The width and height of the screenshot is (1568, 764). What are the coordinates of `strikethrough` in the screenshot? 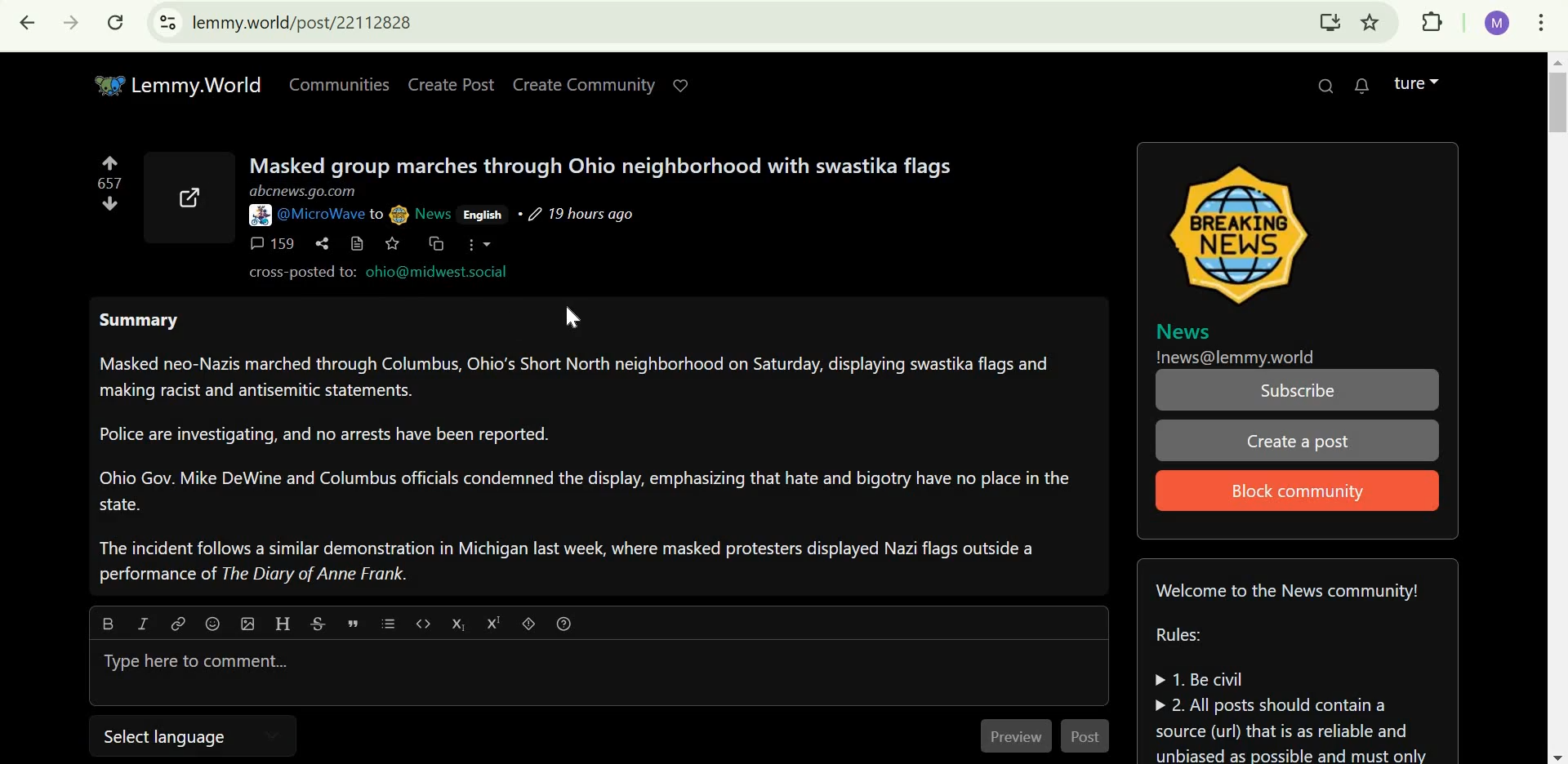 It's located at (316, 624).